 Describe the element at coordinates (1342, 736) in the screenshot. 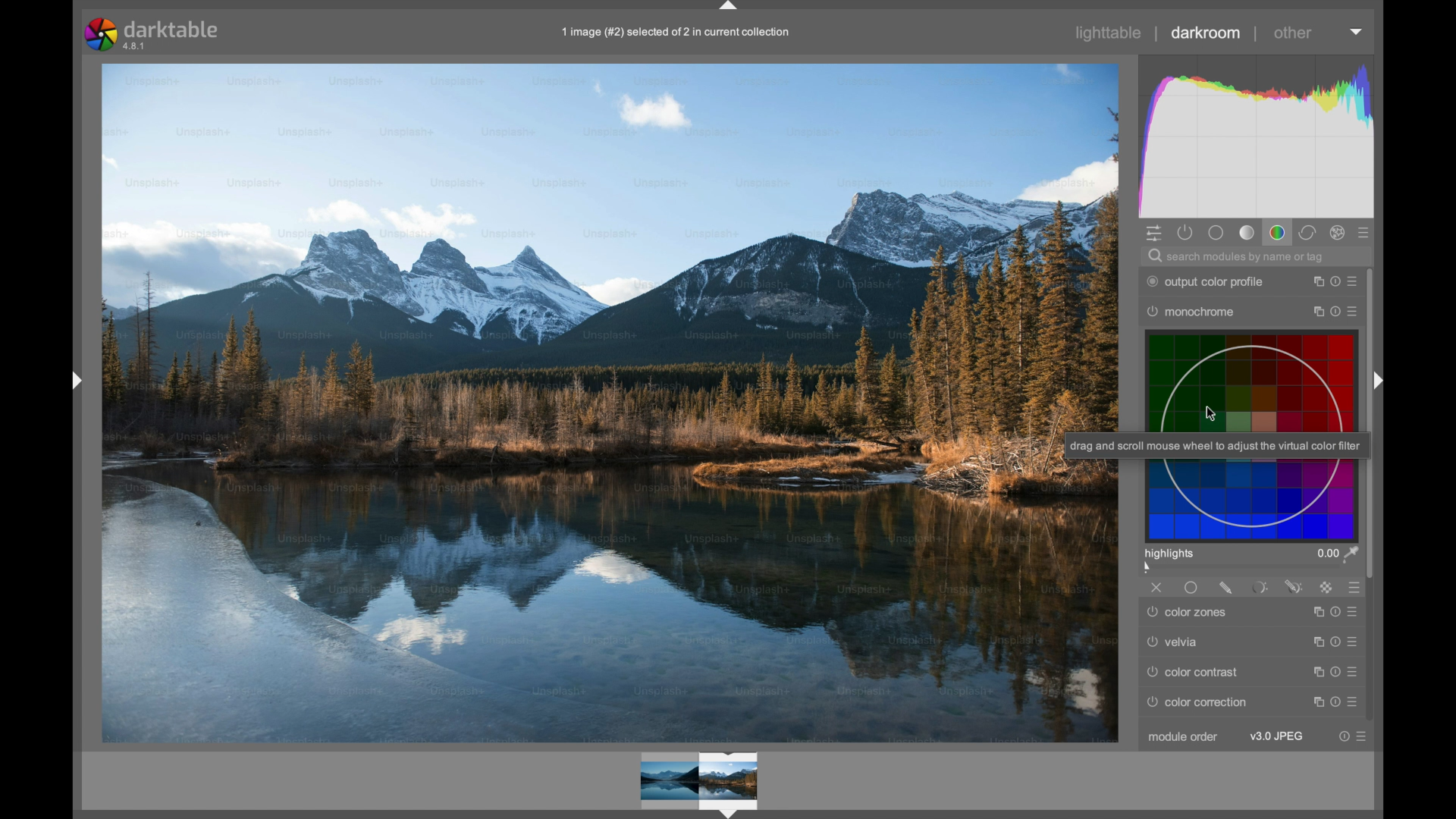

I see `reset` at that location.